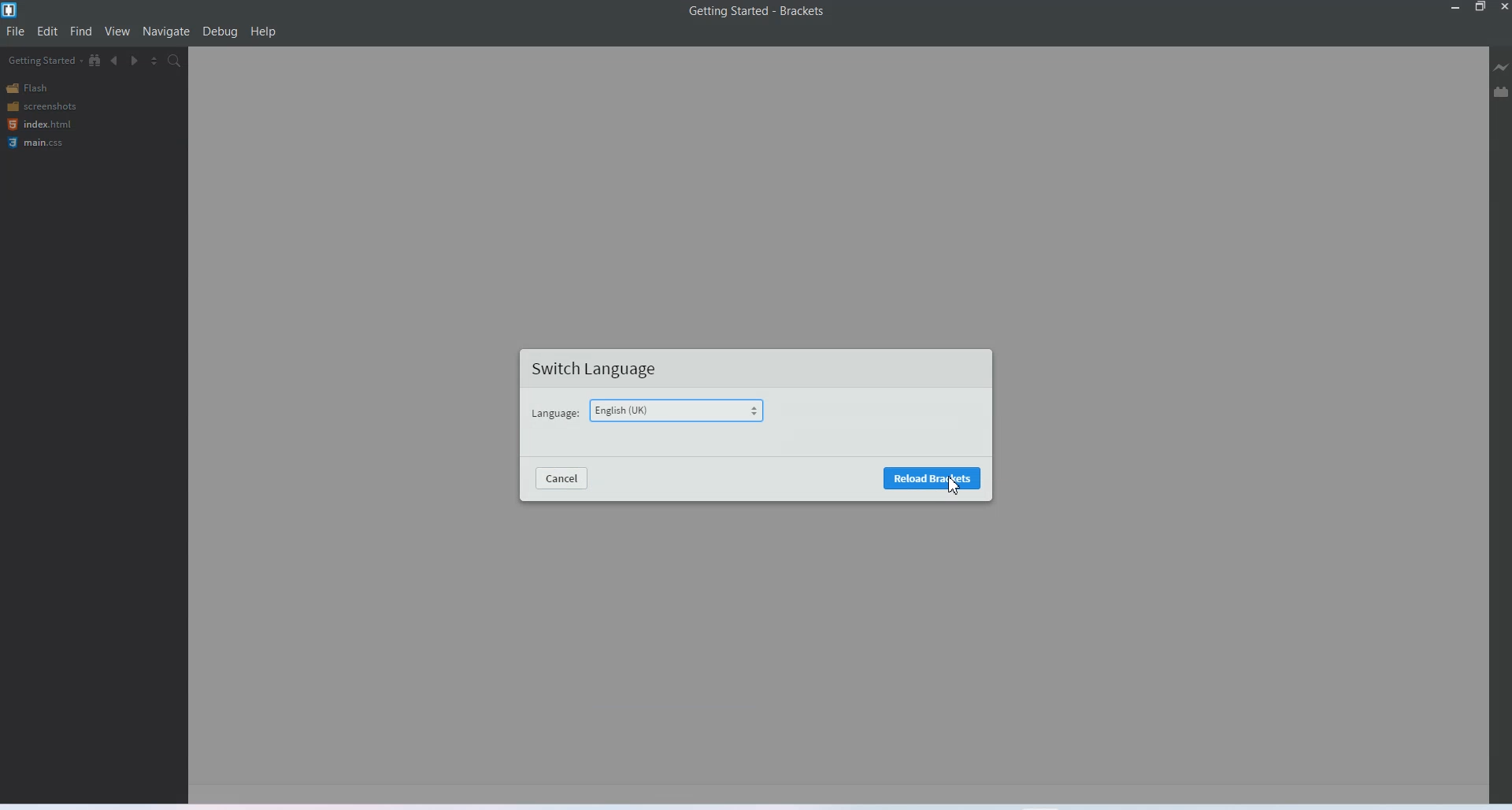  I want to click on Help, so click(263, 31).